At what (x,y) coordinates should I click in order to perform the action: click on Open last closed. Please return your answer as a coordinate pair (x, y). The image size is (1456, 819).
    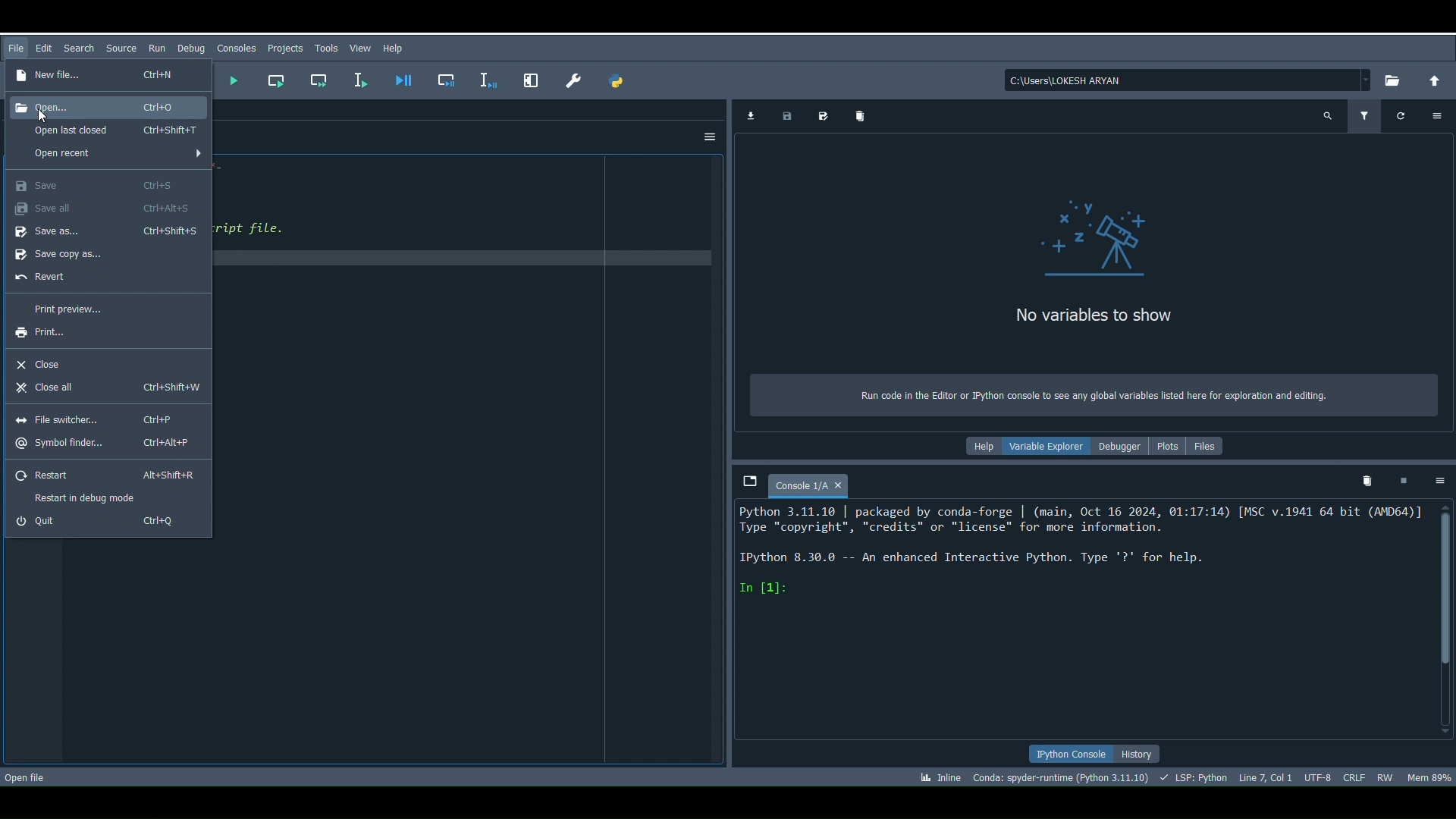
    Looking at the image, I should click on (105, 131).